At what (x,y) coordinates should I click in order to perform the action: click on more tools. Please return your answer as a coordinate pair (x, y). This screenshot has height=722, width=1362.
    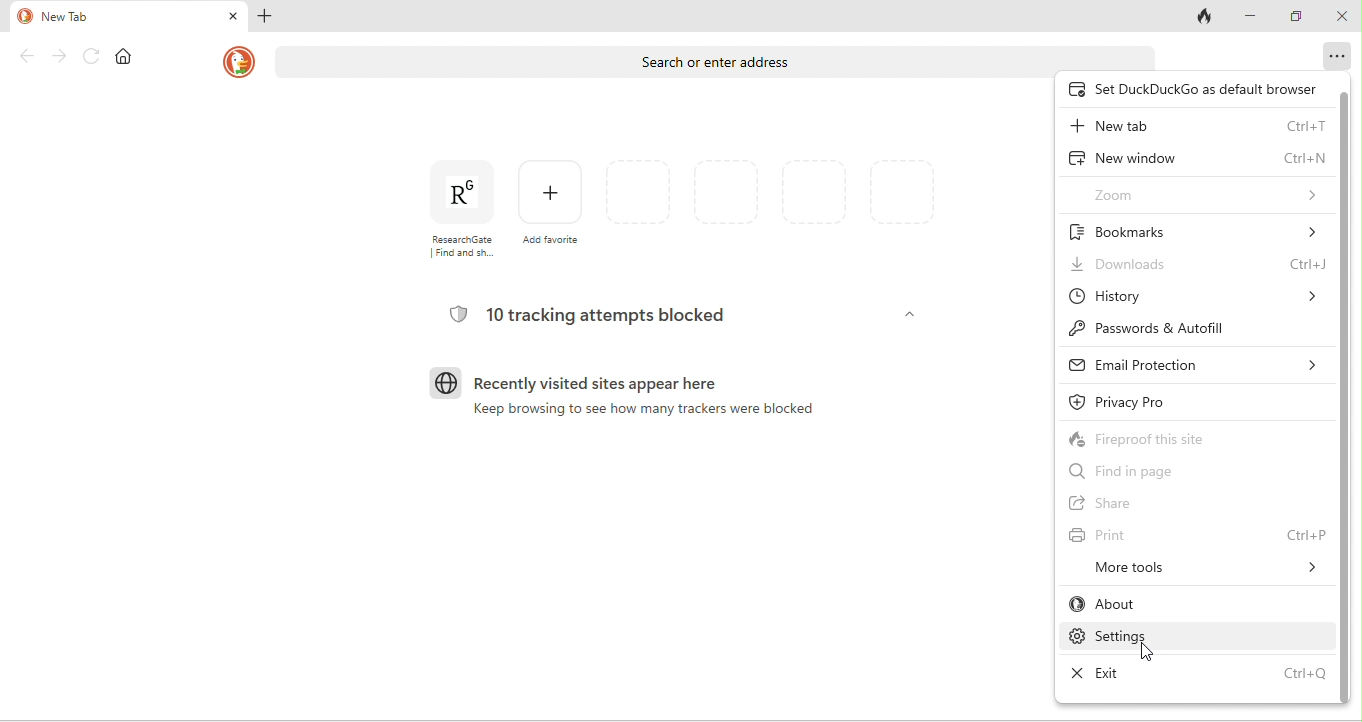
    Looking at the image, I should click on (1207, 568).